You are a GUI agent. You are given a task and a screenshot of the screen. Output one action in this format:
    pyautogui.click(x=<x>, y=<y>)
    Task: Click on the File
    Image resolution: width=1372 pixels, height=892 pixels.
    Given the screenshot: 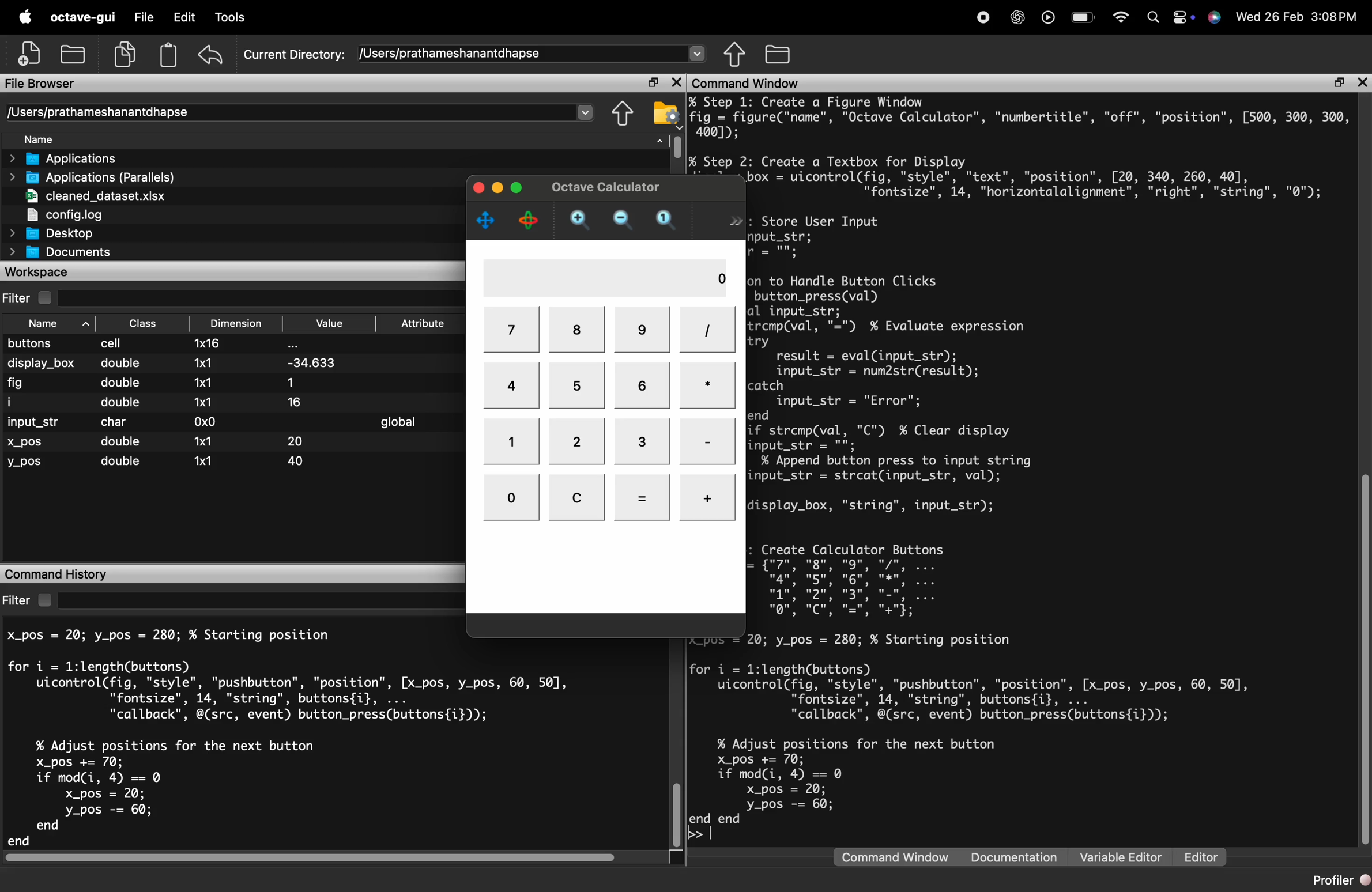 What is the action you would take?
    pyautogui.click(x=142, y=17)
    